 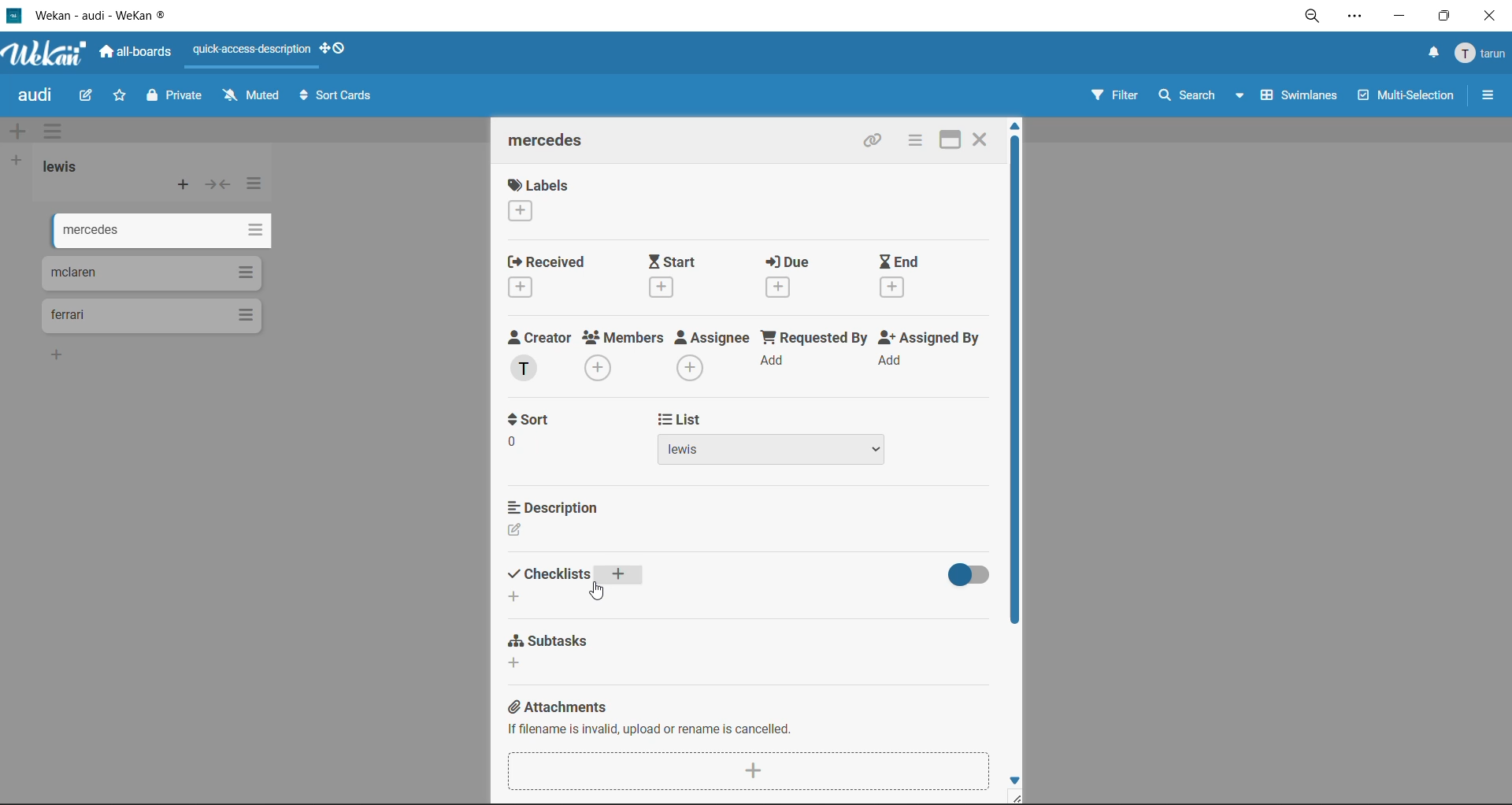 What do you see at coordinates (539, 356) in the screenshot?
I see `creator` at bounding box center [539, 356].